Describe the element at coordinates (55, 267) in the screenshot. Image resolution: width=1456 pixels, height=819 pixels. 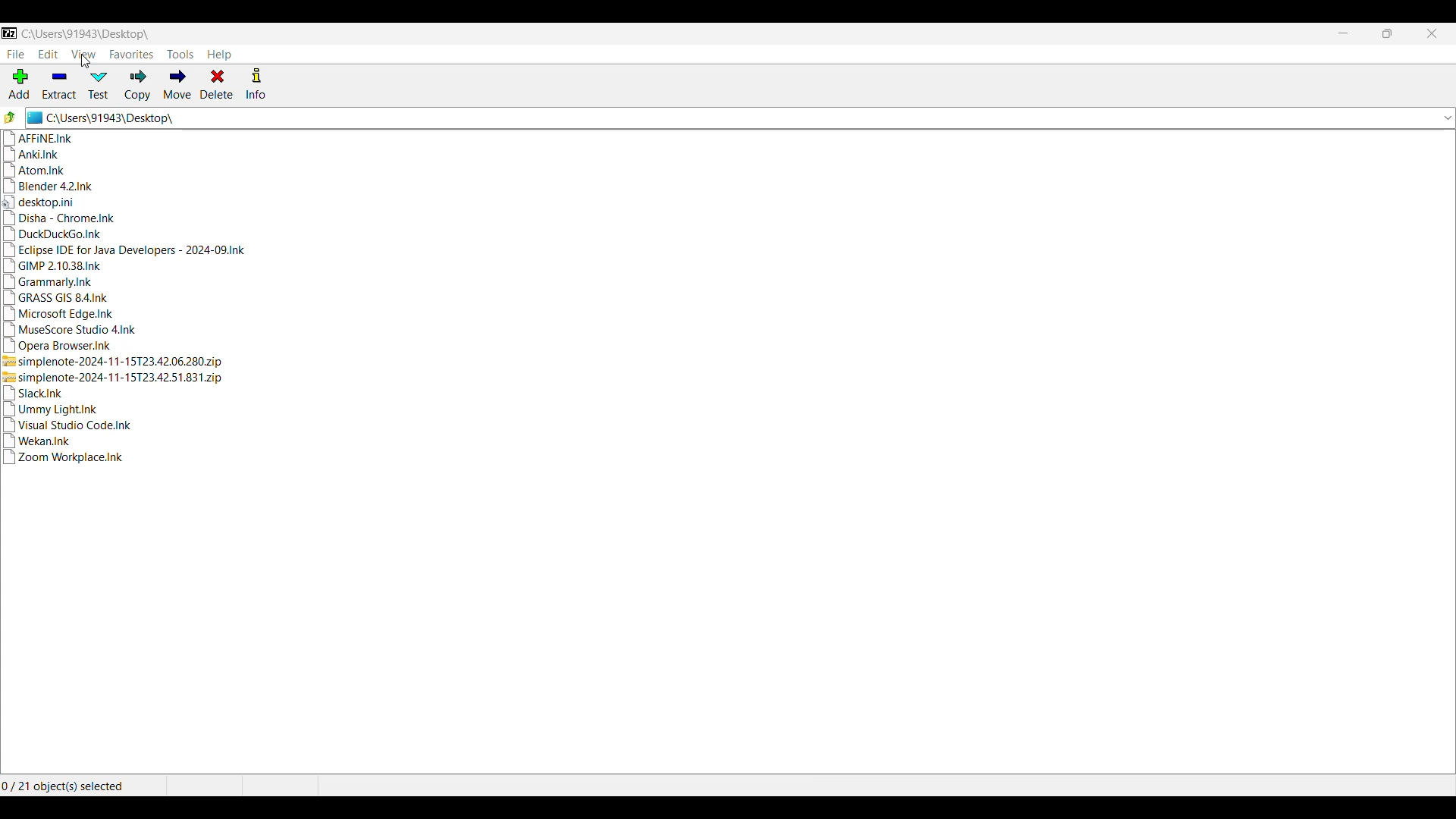
I see `GIMP 2.10.38.Ink` at that location.